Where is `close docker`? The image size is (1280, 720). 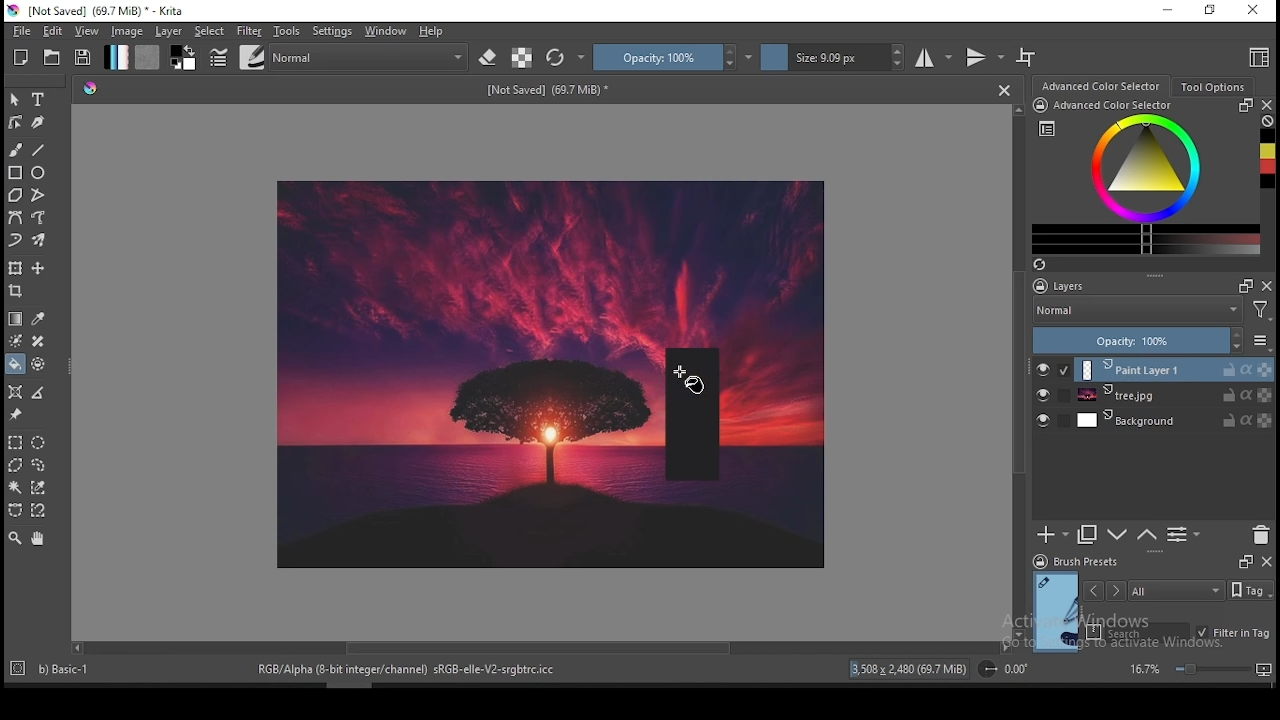
close docker is located at coordinates (1268, 286).